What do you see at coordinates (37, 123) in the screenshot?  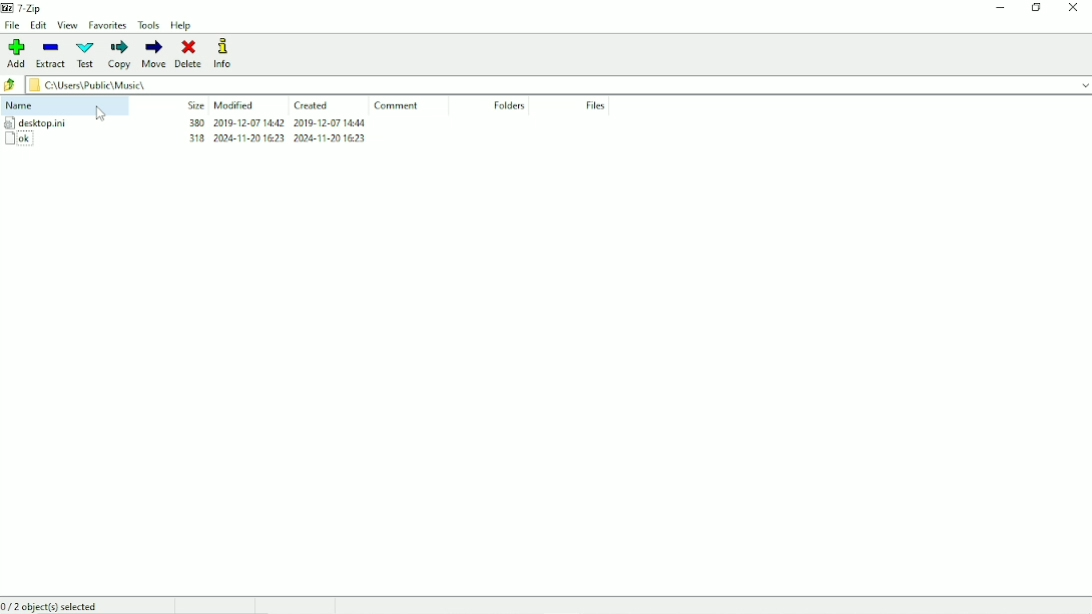 I see `desktop.ini` at bounding box center [37, 123].